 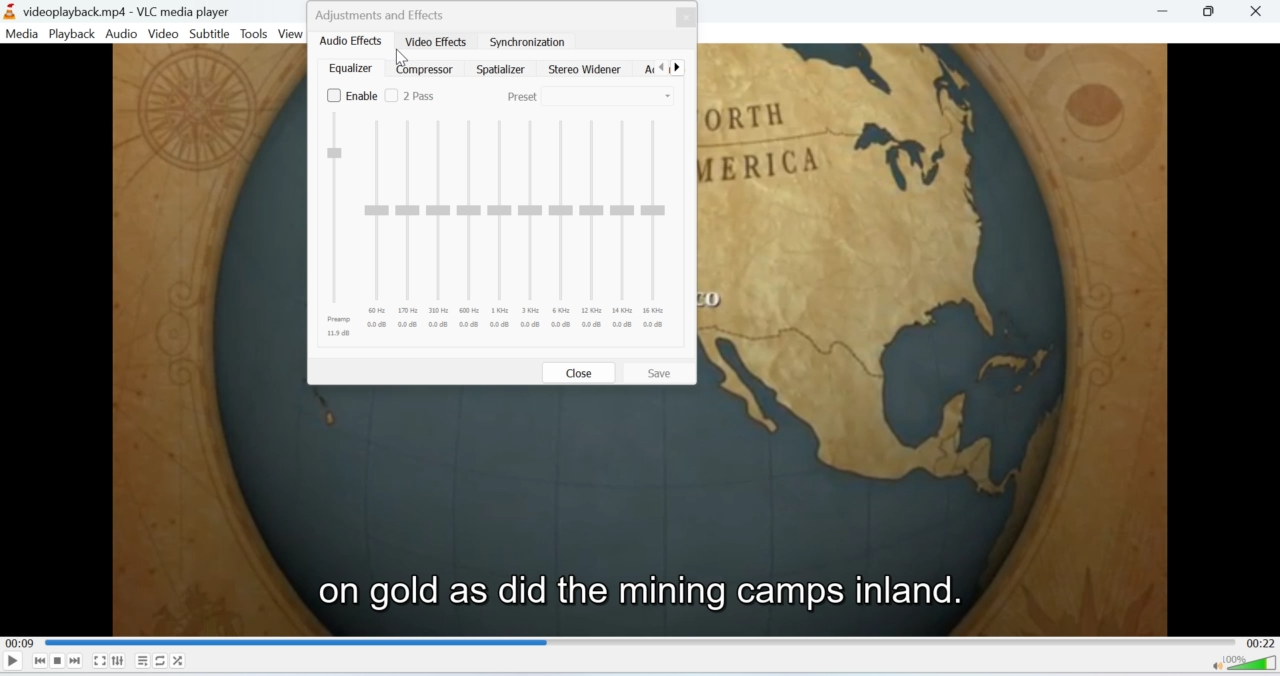 What do you see at coordinates (13, 660) in the screenshot?
I see `Play/Pause` at bounding box center [13, 660].